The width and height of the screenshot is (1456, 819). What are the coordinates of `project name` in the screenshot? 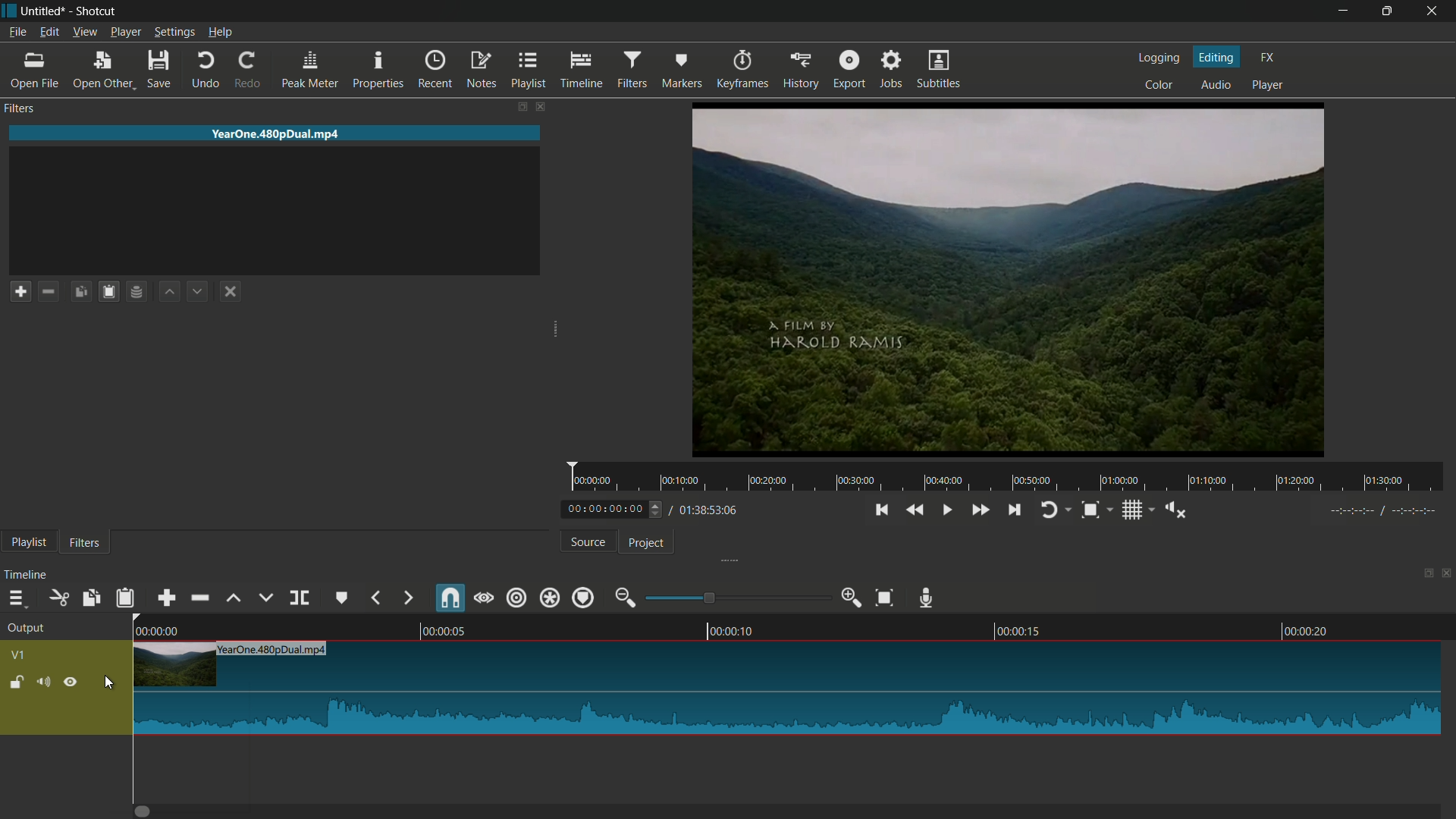 It's located at (43, 11).